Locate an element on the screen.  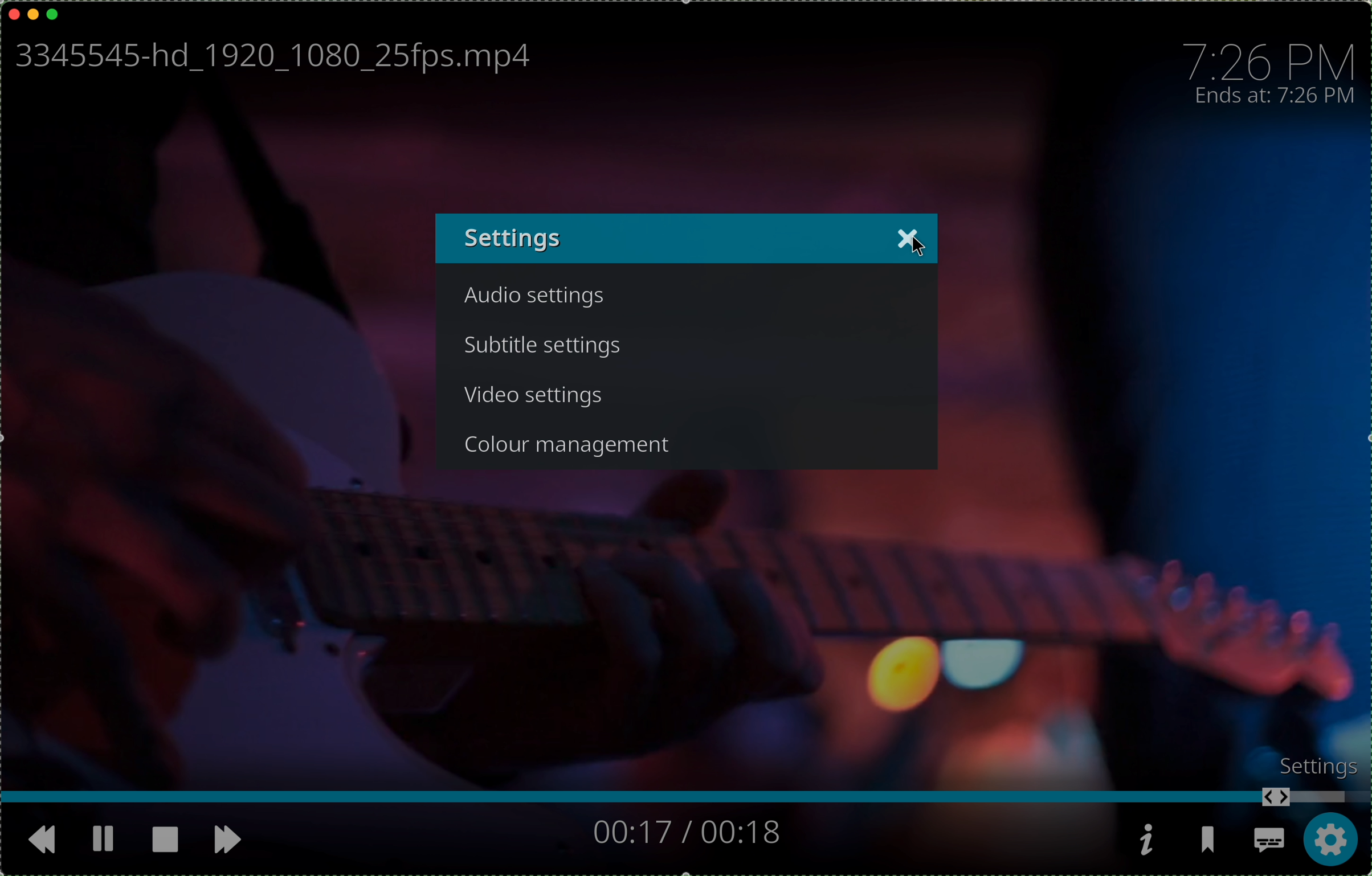
minimise is located at coordinates (33, 13).